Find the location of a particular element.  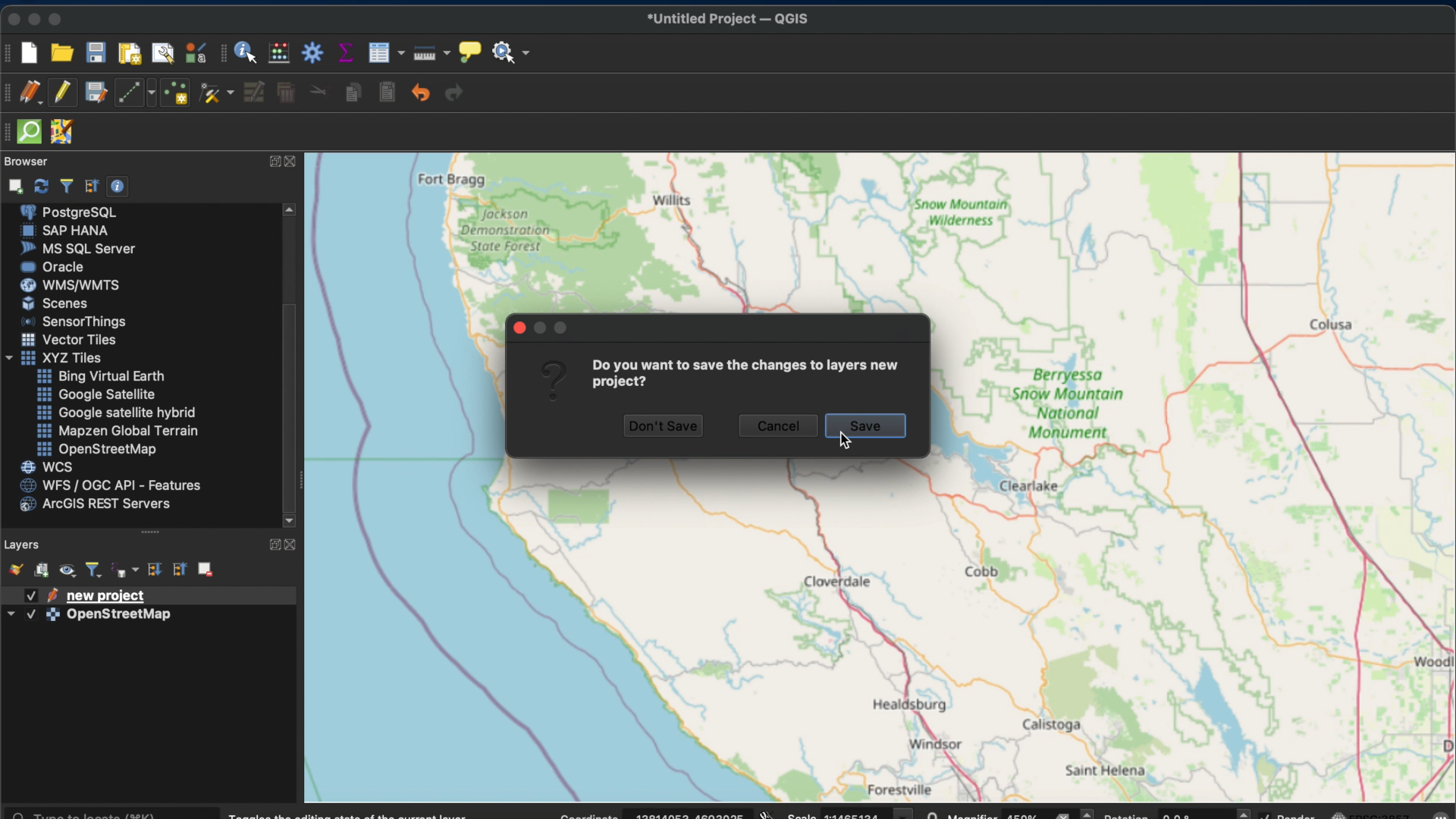

toolbox is located at coordinates (312, 51).